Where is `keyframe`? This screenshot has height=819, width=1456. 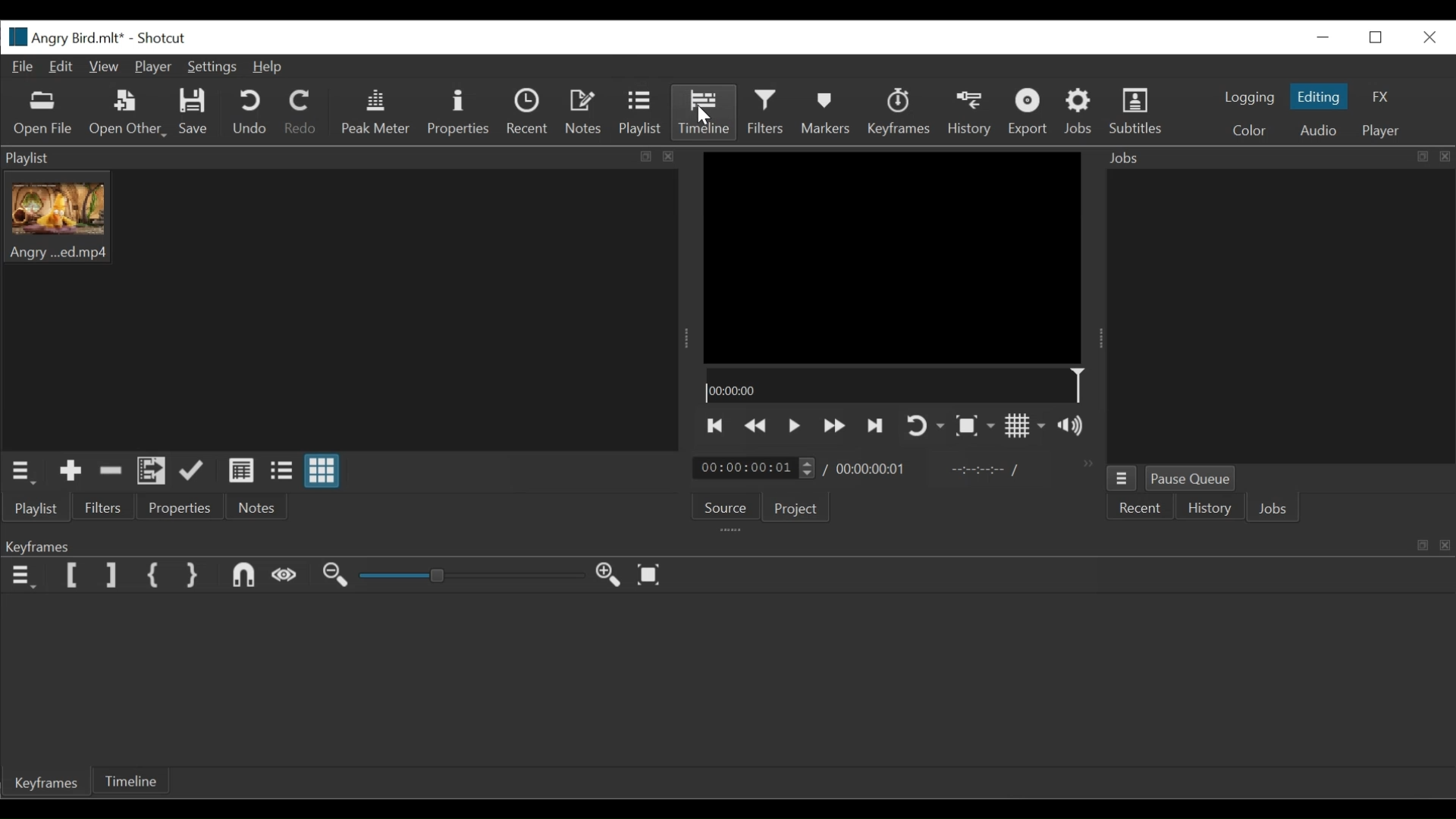
keyframe is located at coordinates (49, 783).